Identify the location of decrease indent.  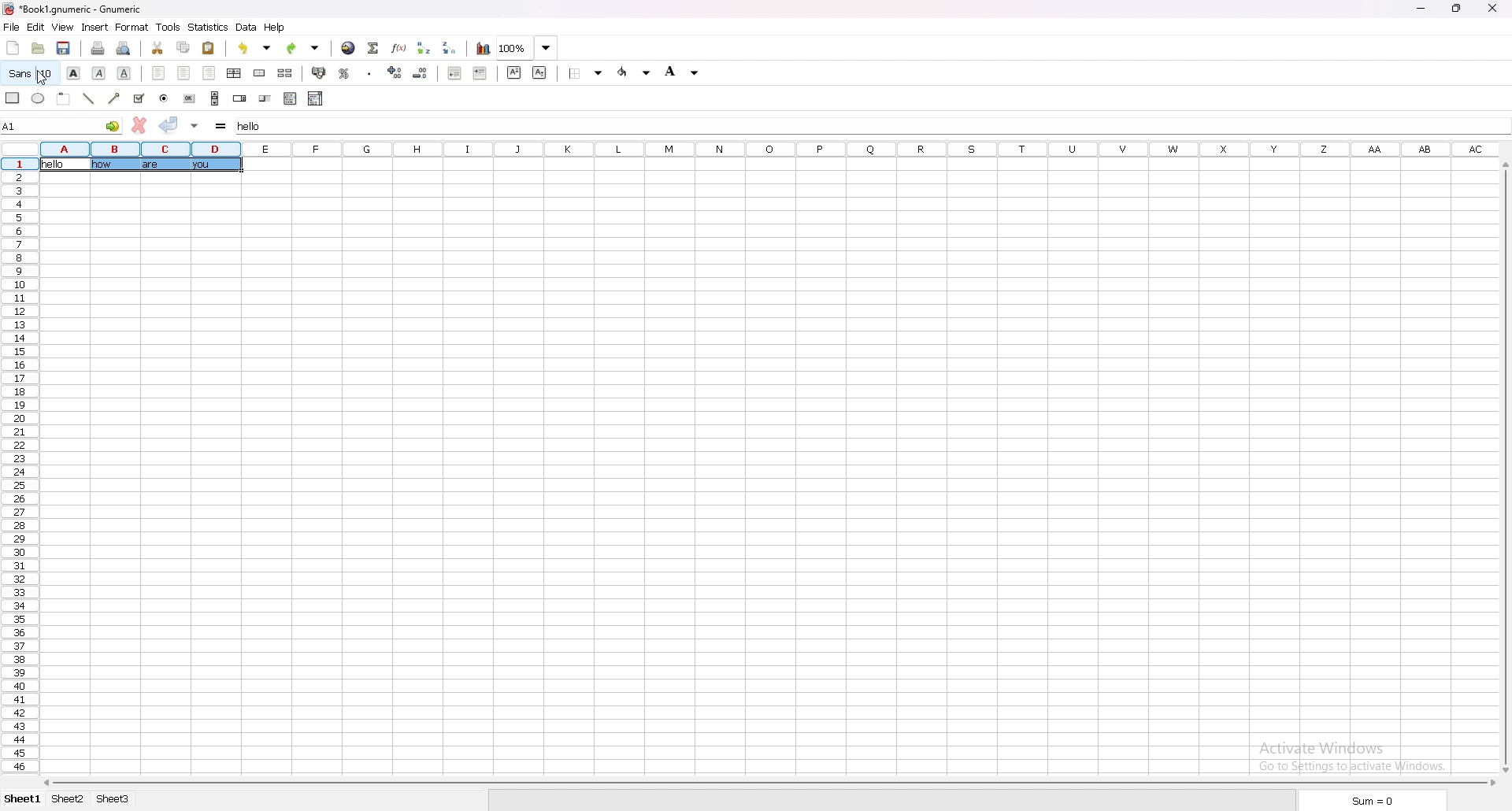
(455, 73).